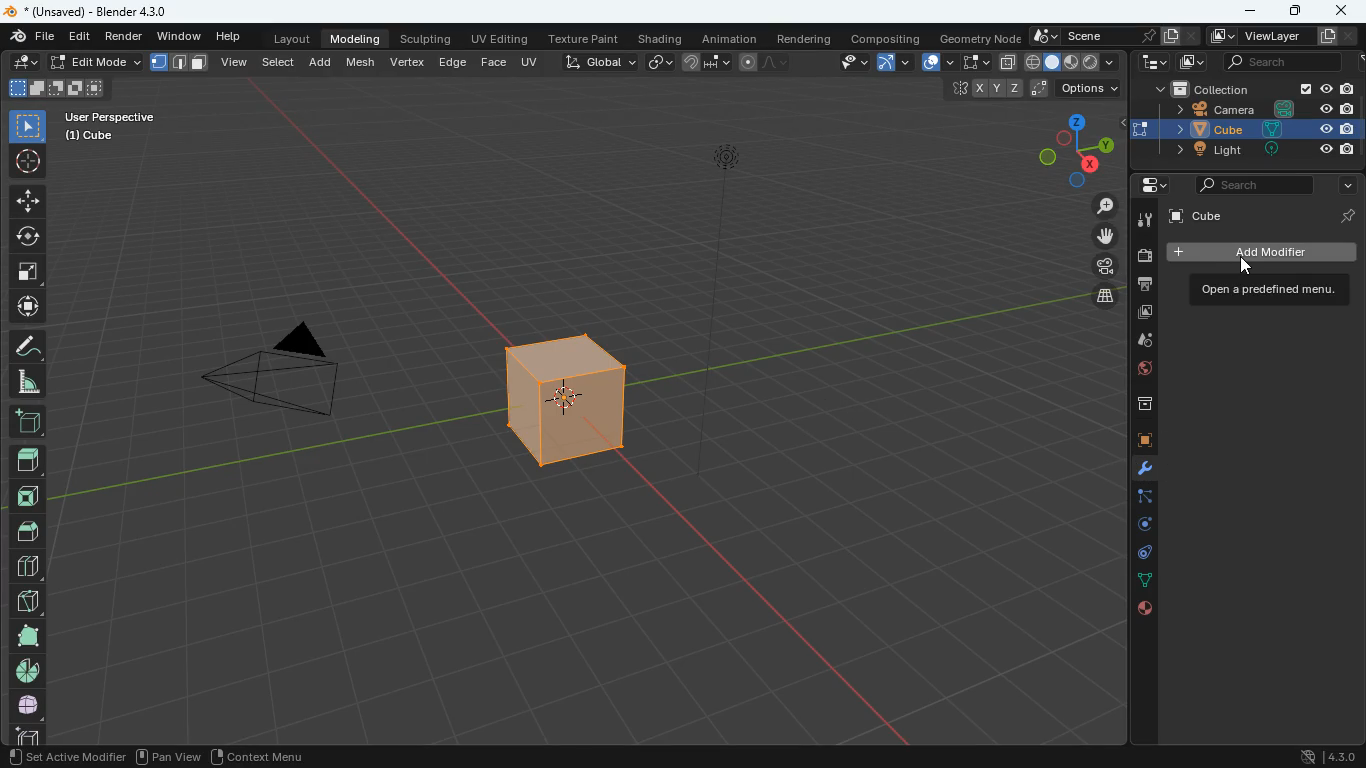 This screenshot has width=1366, height=768. Describe the element at coordinates (727, 216) in the screenshot. I see `light` at that location.